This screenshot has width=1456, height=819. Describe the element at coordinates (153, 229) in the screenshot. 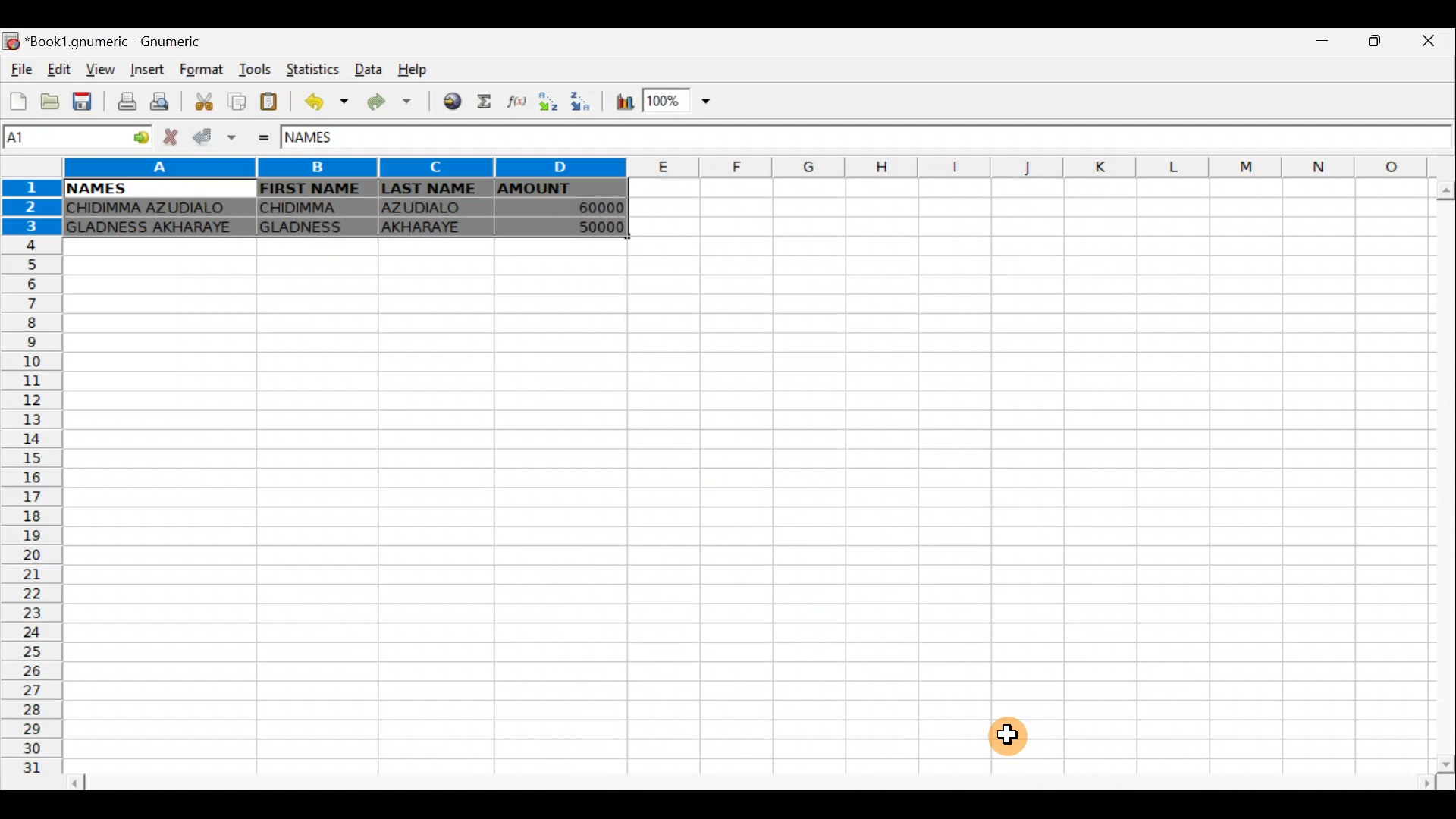

I see `CHIDIMMA AZUDIALO` at that location.